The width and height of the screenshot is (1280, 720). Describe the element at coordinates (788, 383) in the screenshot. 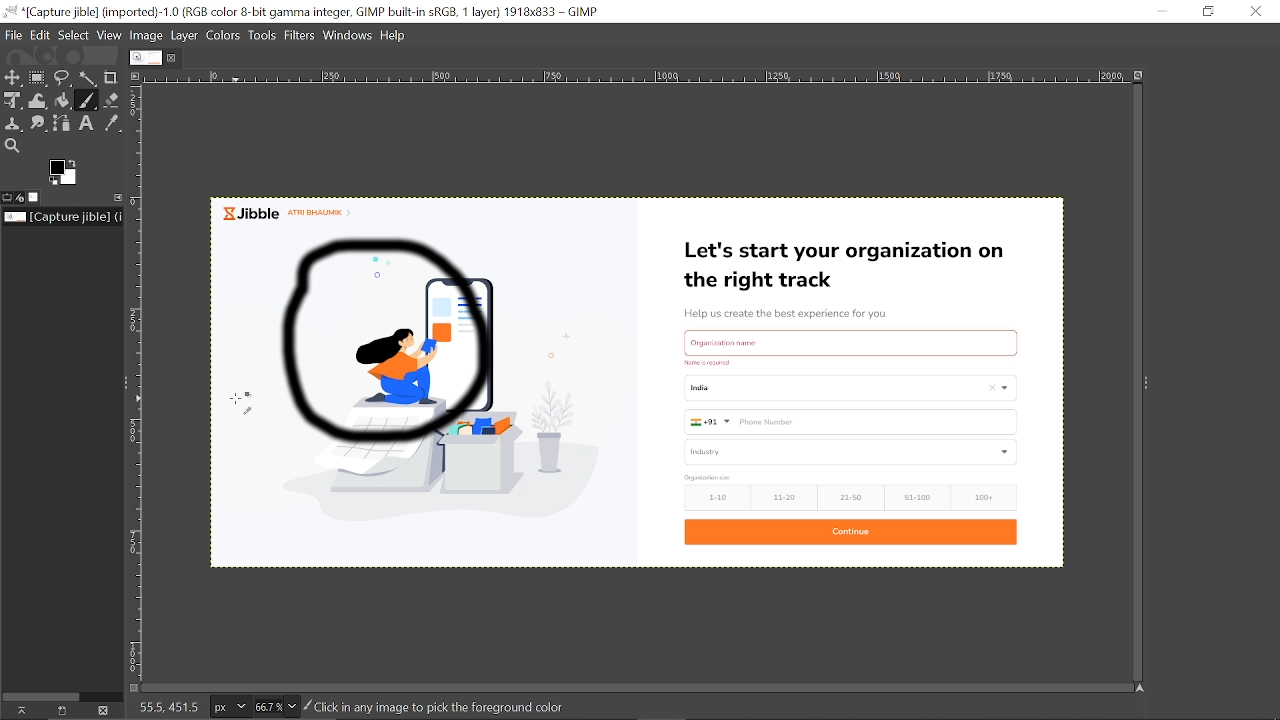

I see `Currently opened omage` at that location.